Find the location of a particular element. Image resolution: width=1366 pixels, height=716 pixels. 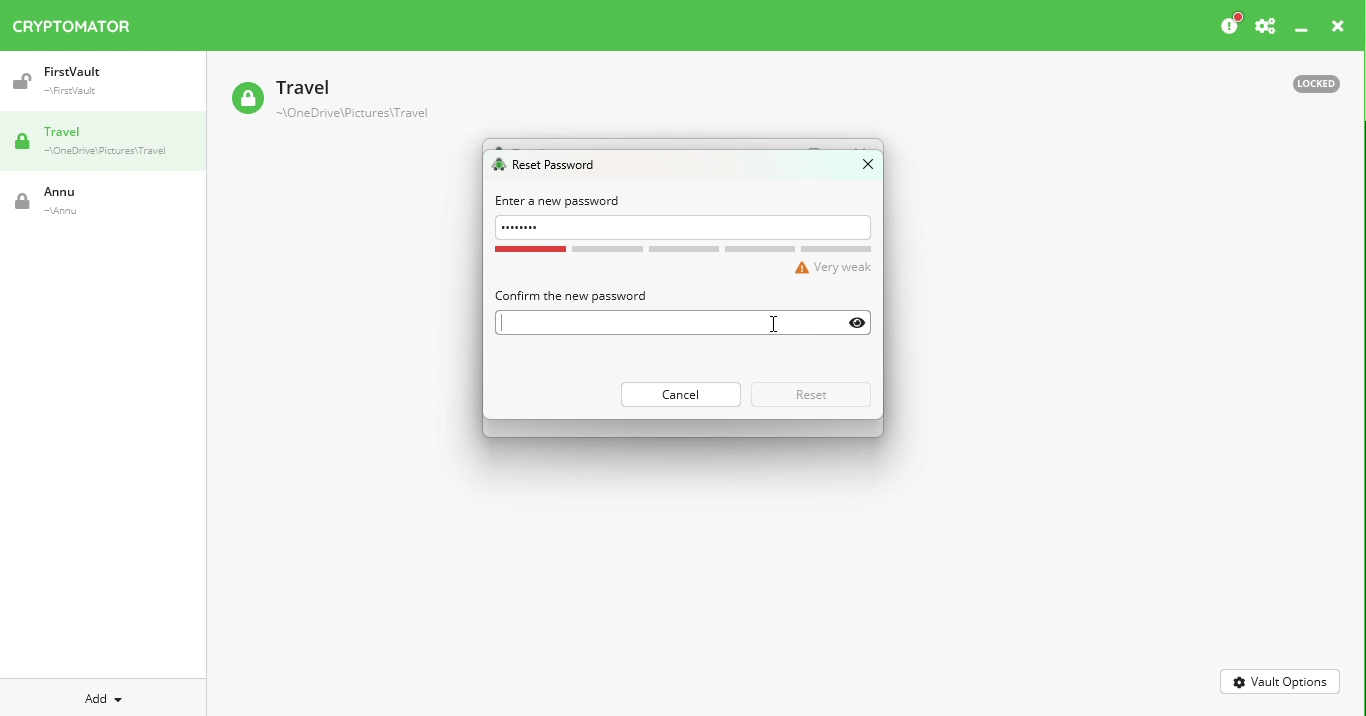

Enter password is located at coordinates (684, 324).